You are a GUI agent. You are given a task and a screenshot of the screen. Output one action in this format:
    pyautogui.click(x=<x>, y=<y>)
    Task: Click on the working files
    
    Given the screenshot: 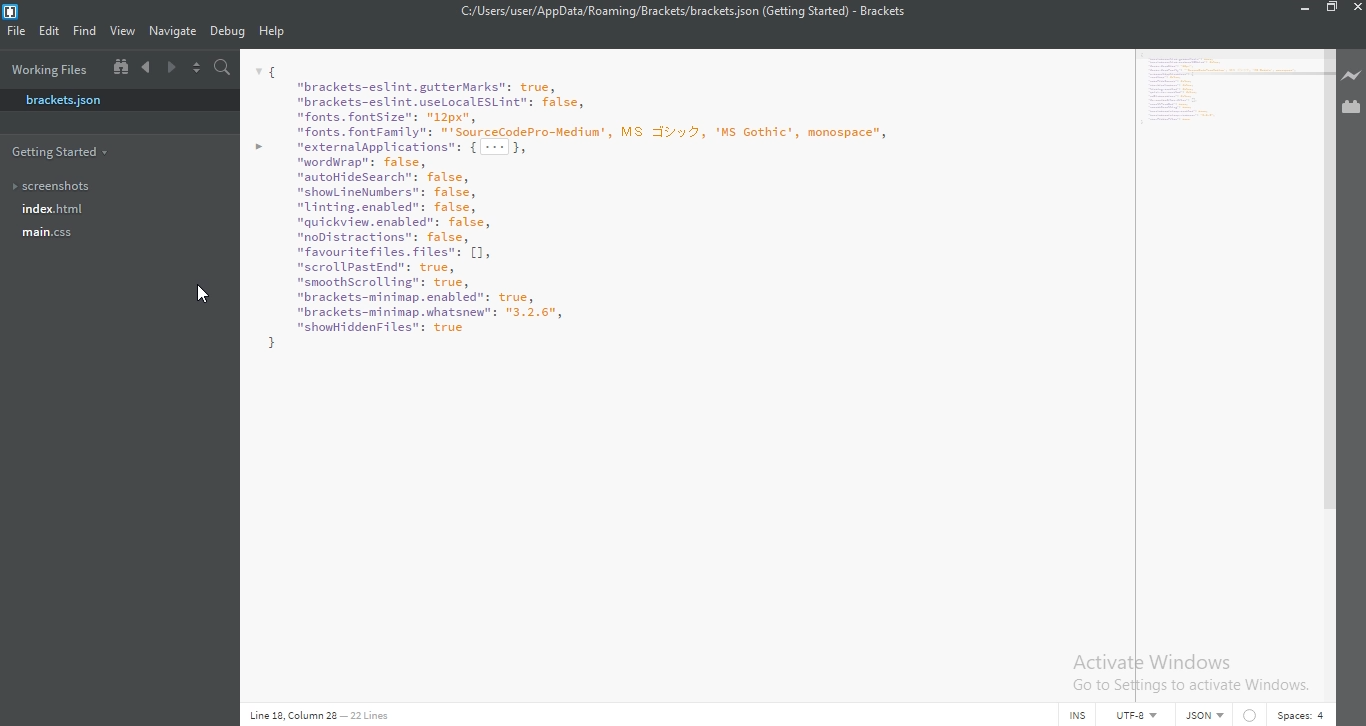 What is the action you would take?
    pyautogui.click(x=50, y=70)
    